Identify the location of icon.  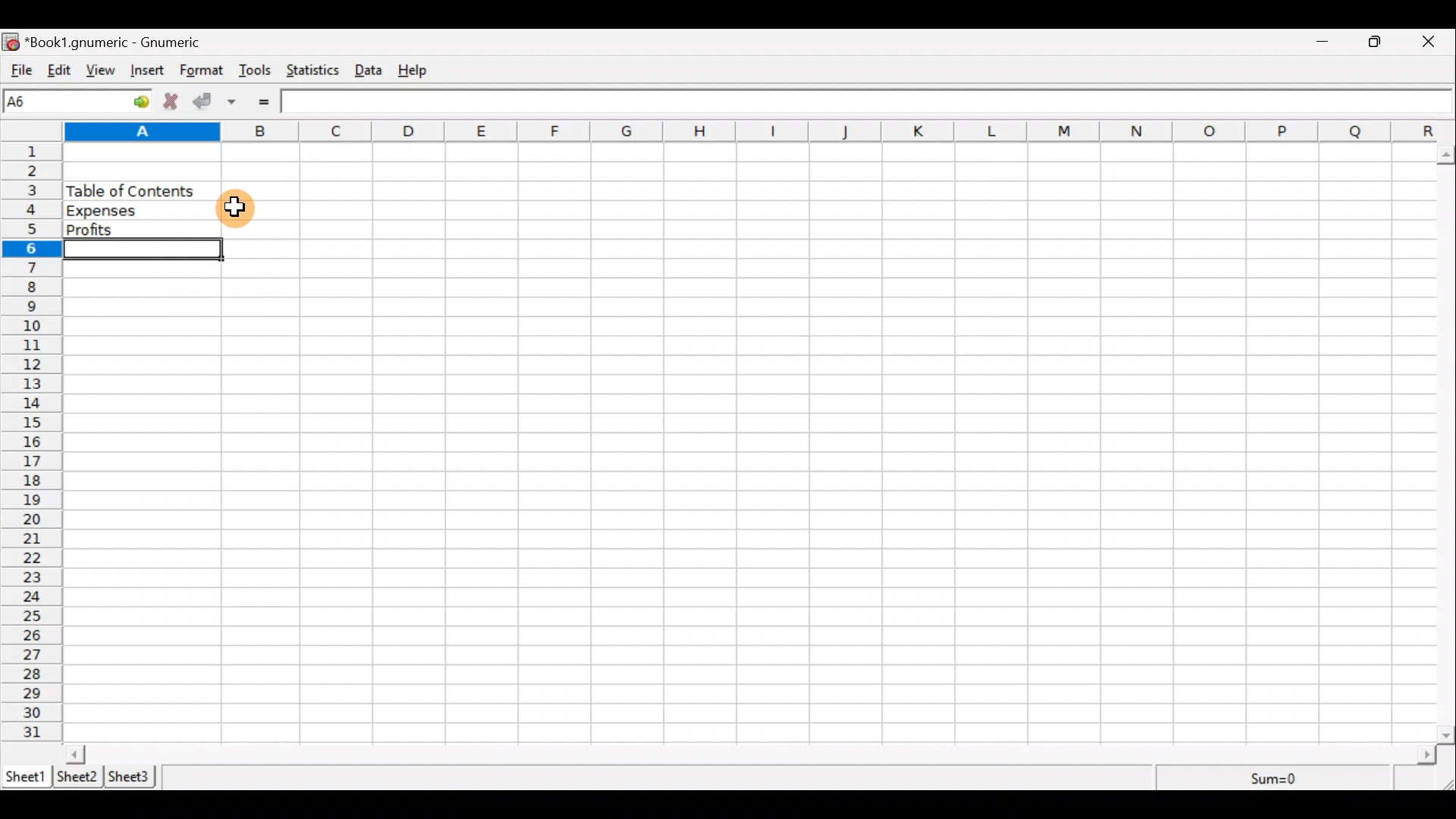
(12, 42).